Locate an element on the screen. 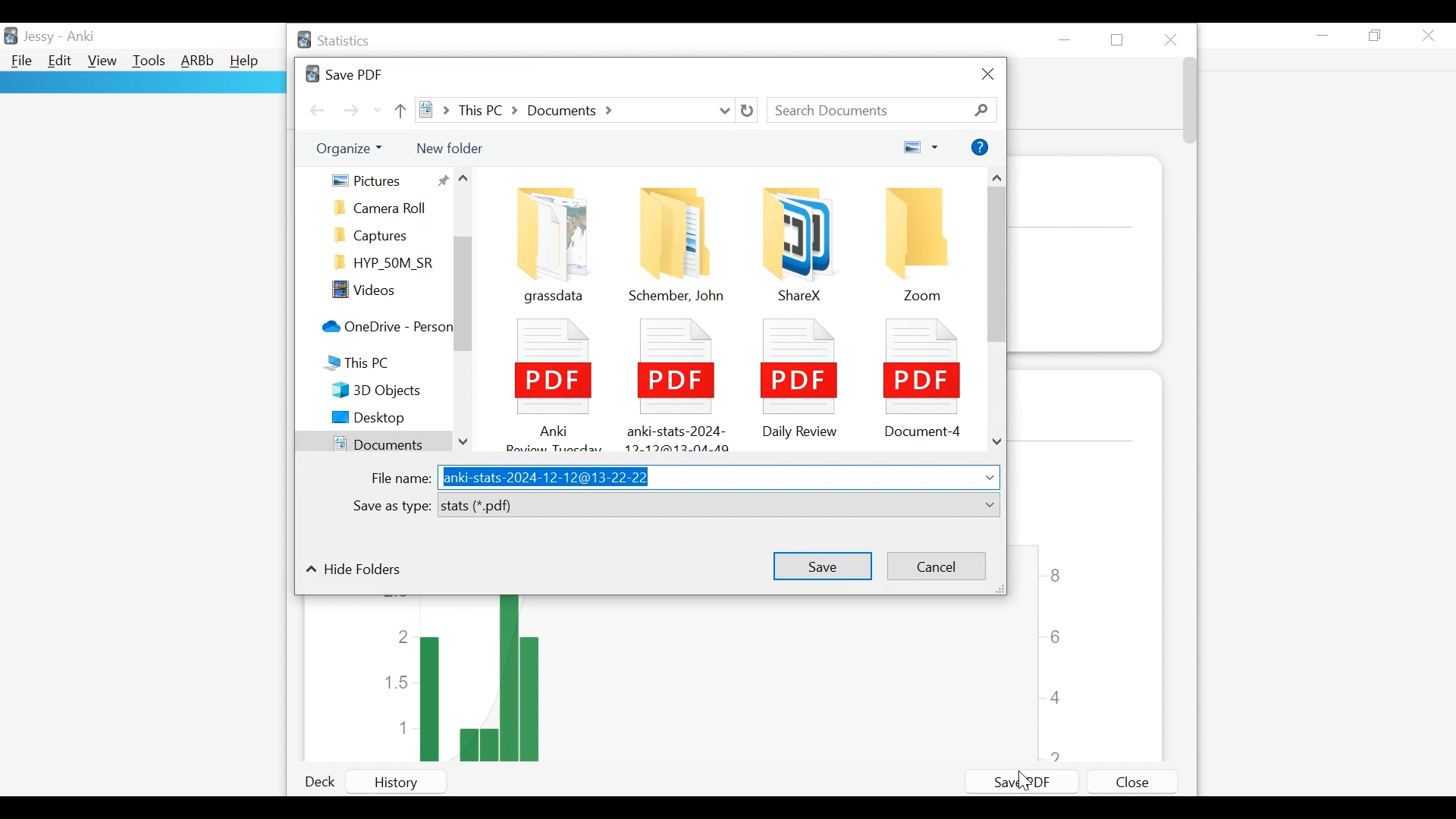 The height and width of the screenshot is (819, 1456). Anki is located at coordinates (80, 37).